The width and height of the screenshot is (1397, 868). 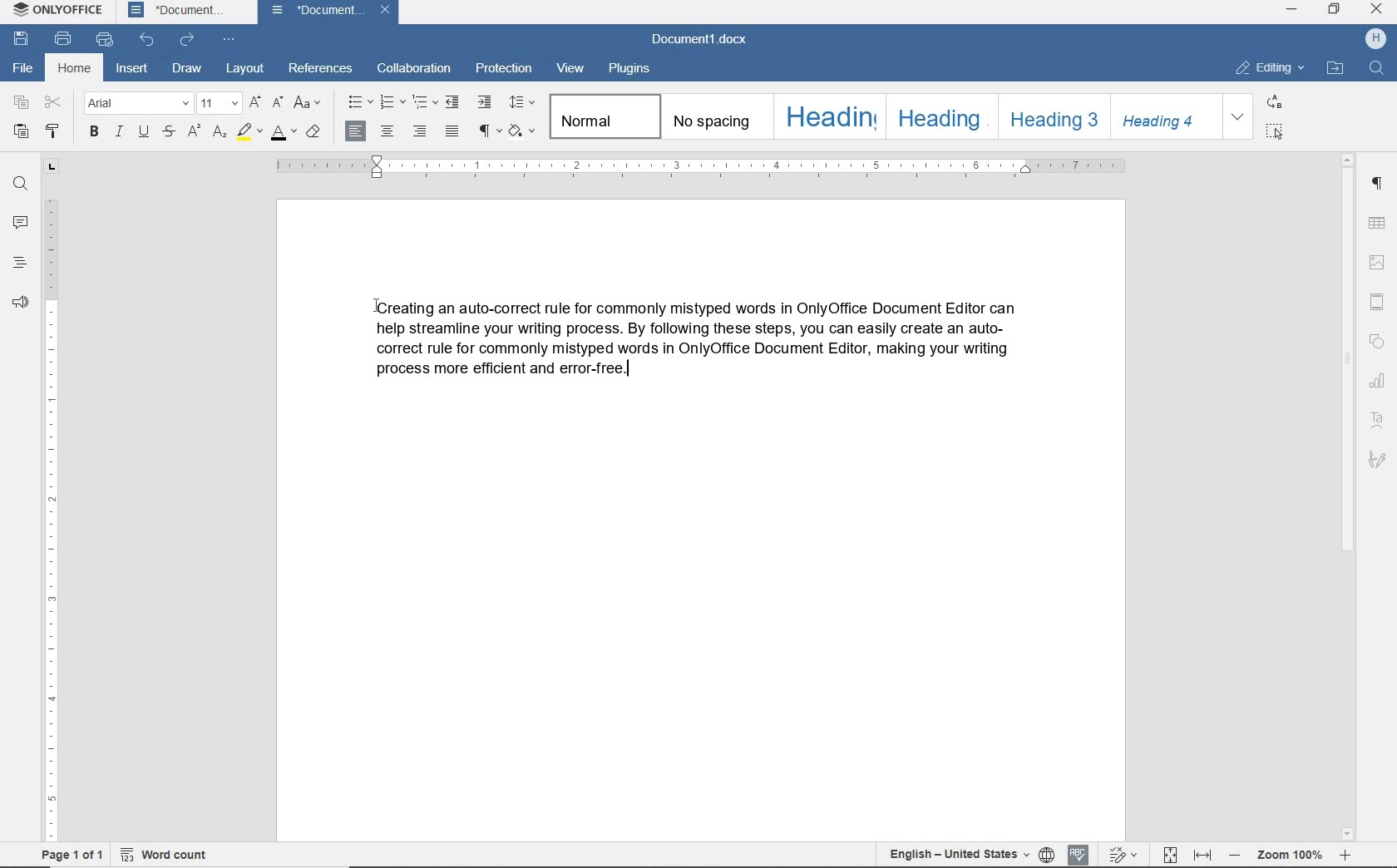 What do you see at coordinates (571, 70) in the screenshot?
I see `view` at bounding box center [571, 70].